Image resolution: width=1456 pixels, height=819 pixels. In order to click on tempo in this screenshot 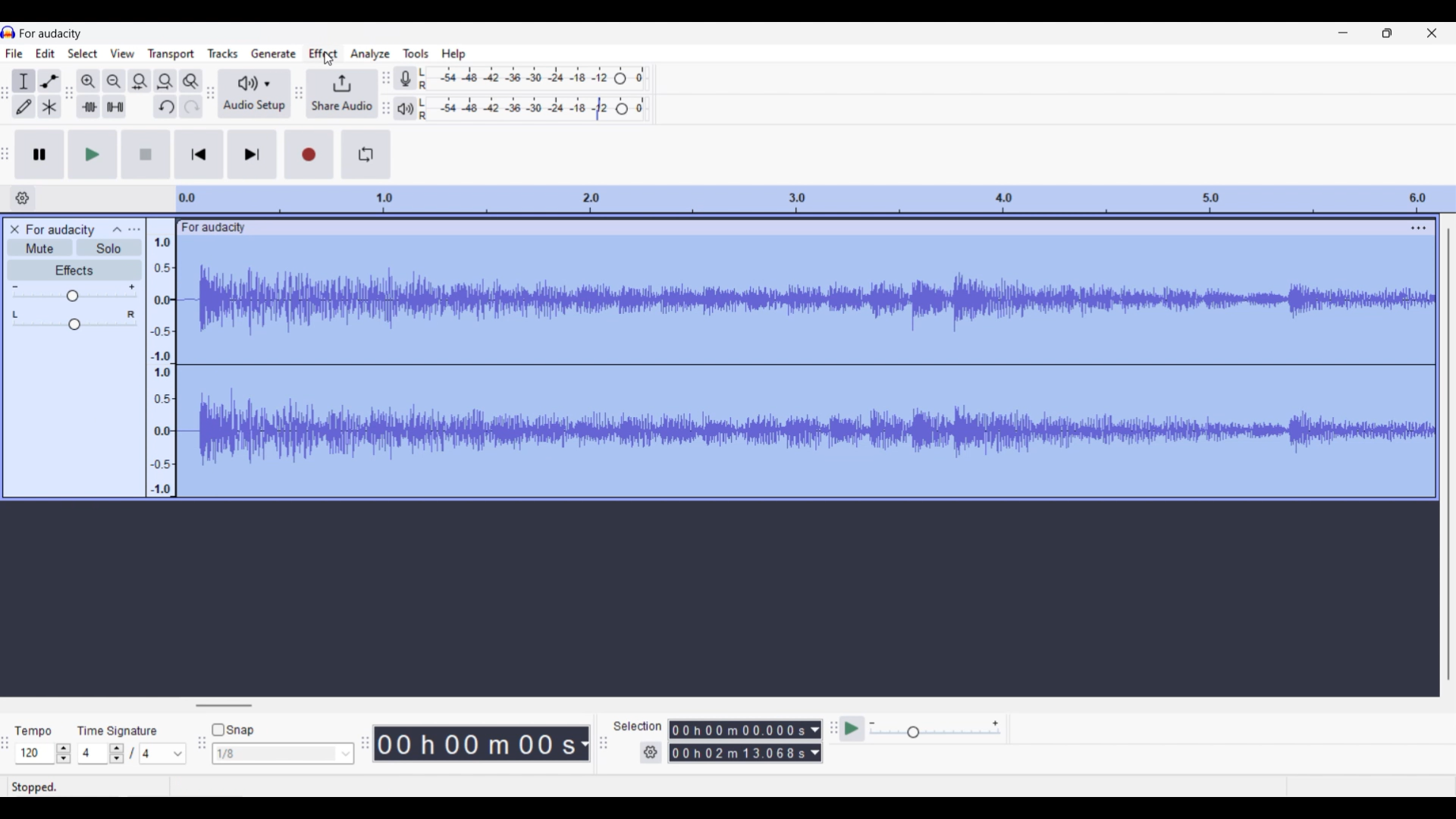, I will do `click(33, 731)`.